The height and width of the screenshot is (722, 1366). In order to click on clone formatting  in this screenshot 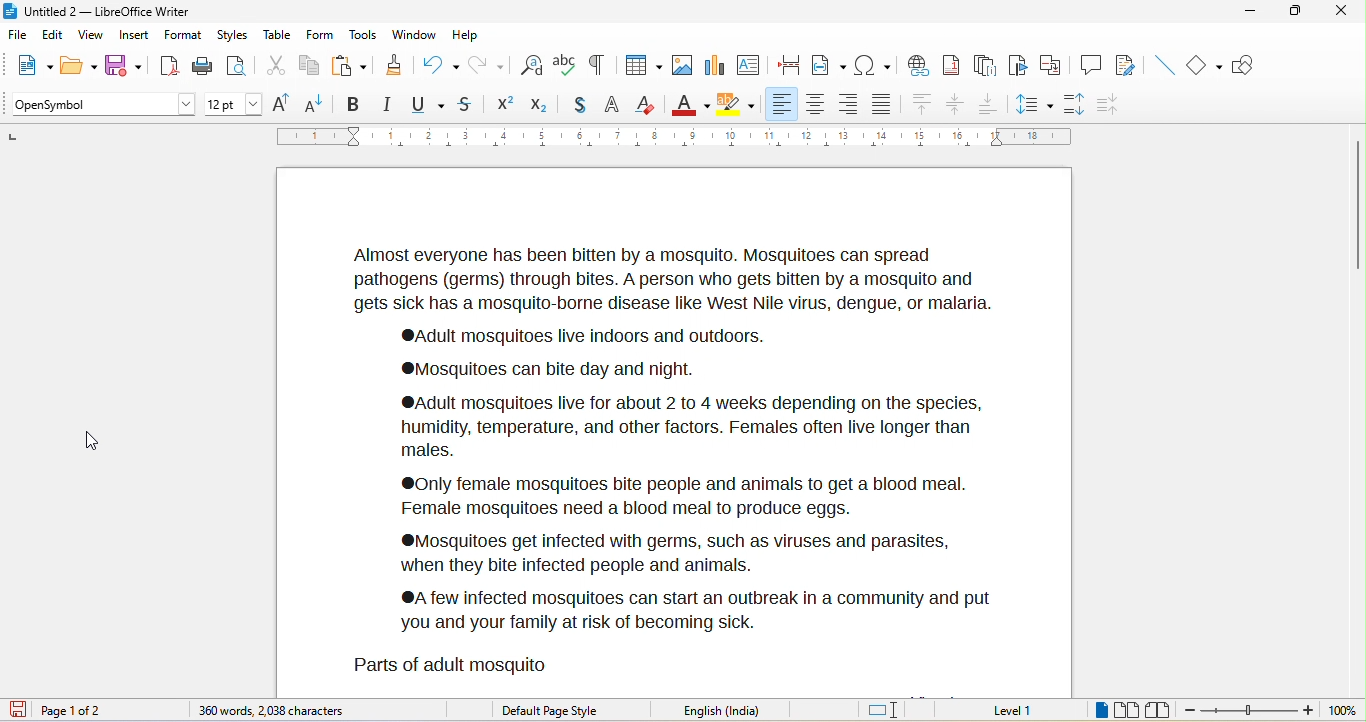, I will do `click(391, 65)`.